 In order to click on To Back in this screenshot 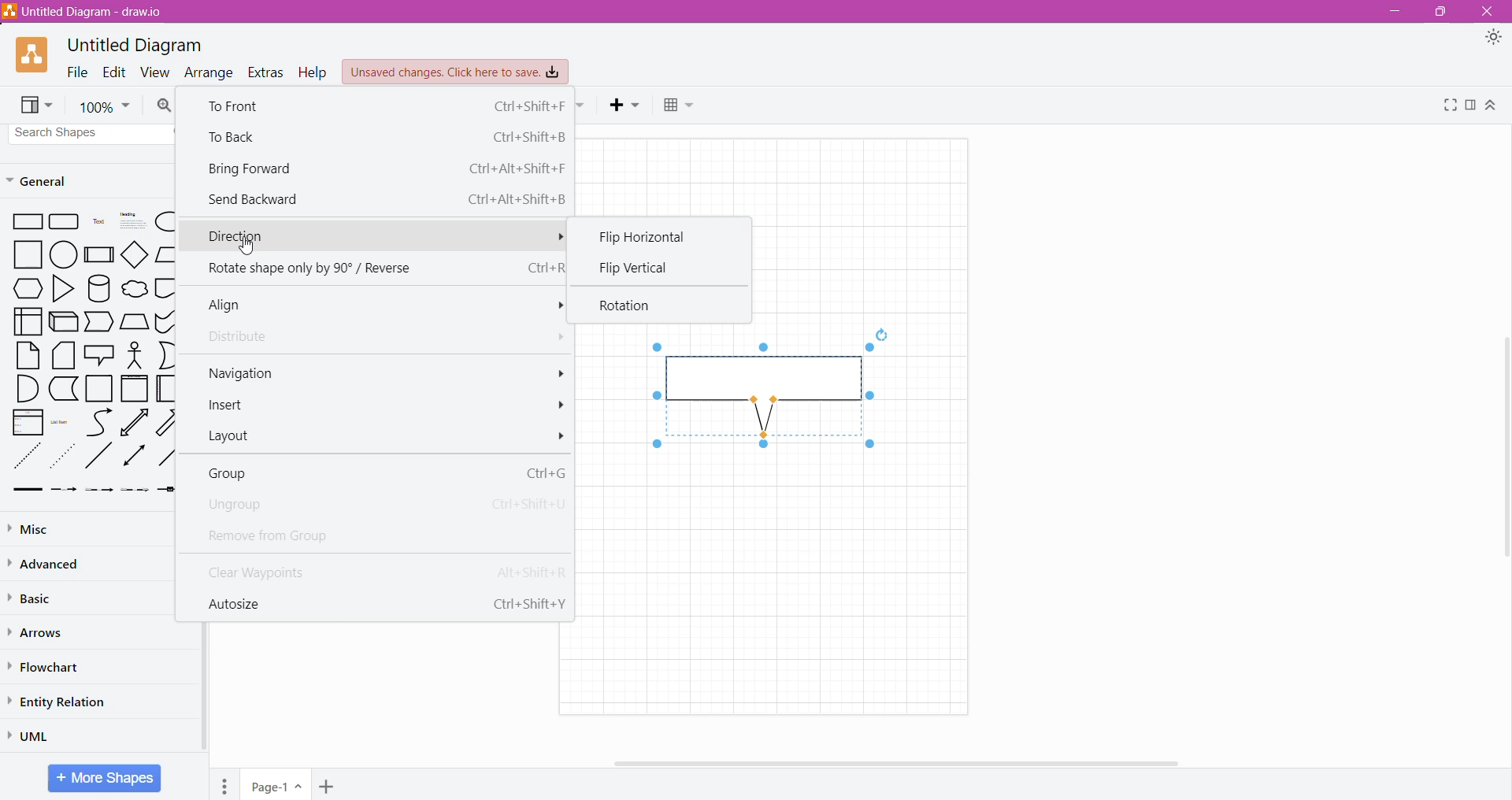, I will do `click(384, 136)`.